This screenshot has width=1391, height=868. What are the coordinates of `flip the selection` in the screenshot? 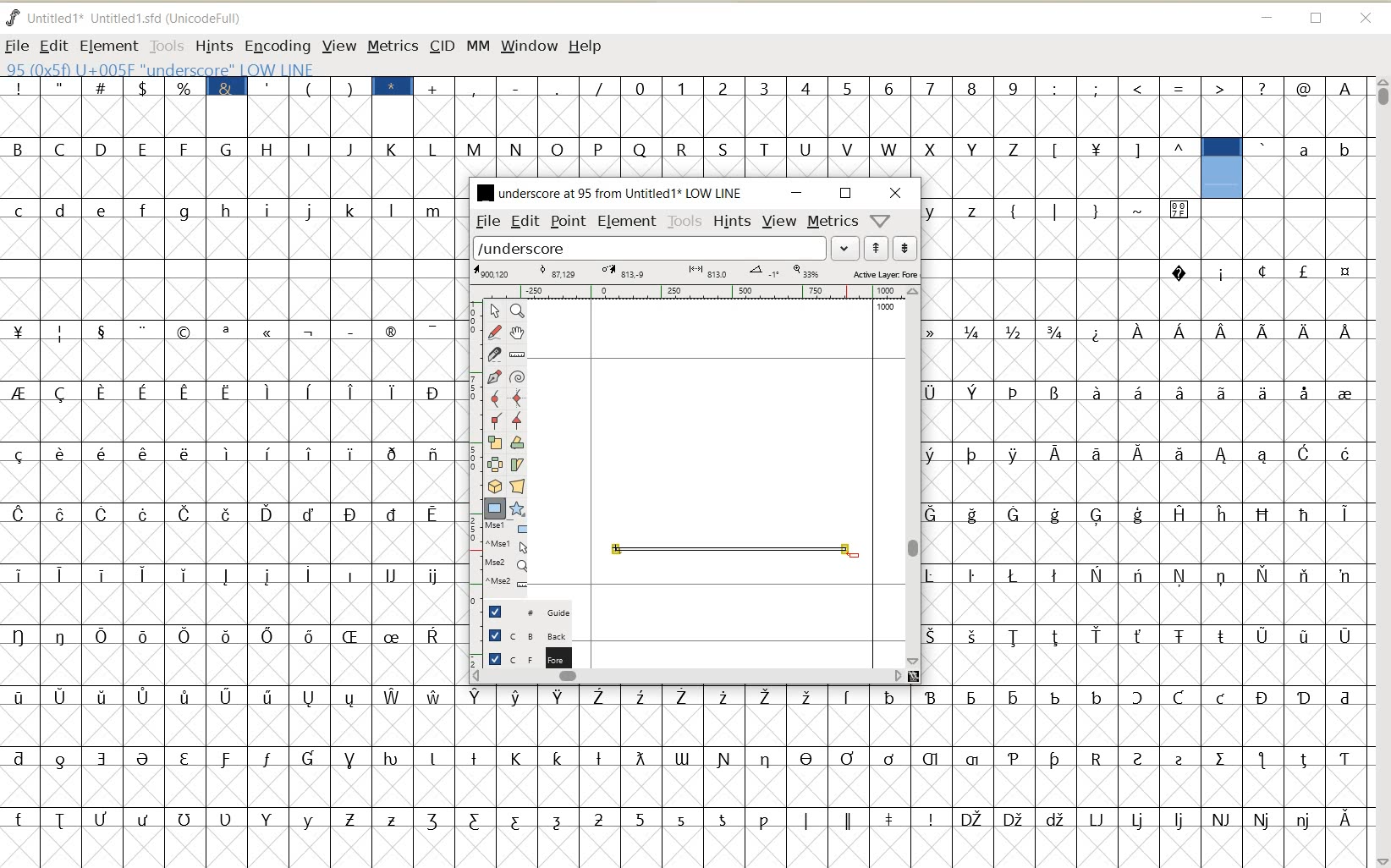 It's located at (494, 464).